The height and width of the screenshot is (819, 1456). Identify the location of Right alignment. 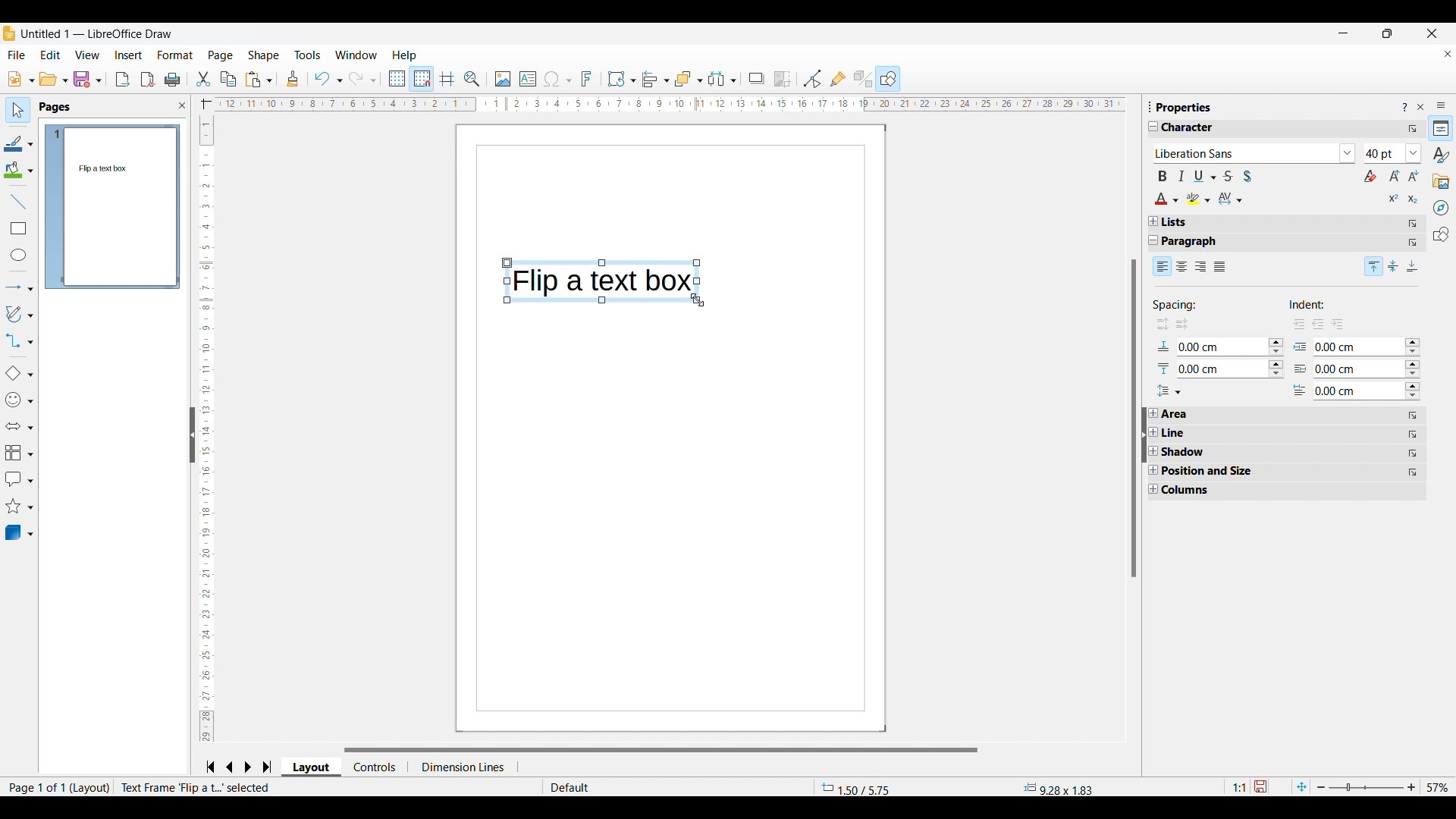
(1200, 268).